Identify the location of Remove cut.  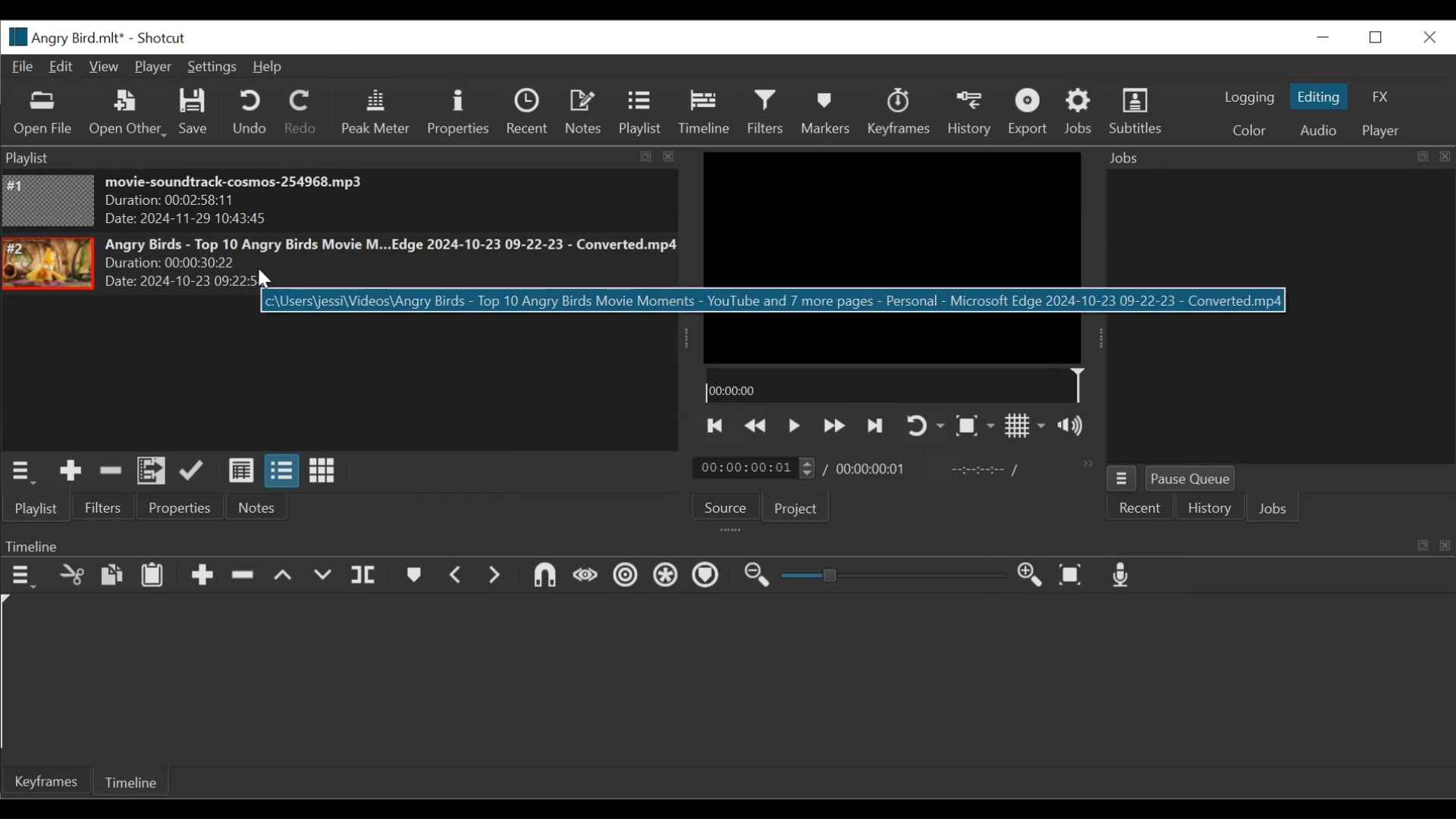
(111, 472).